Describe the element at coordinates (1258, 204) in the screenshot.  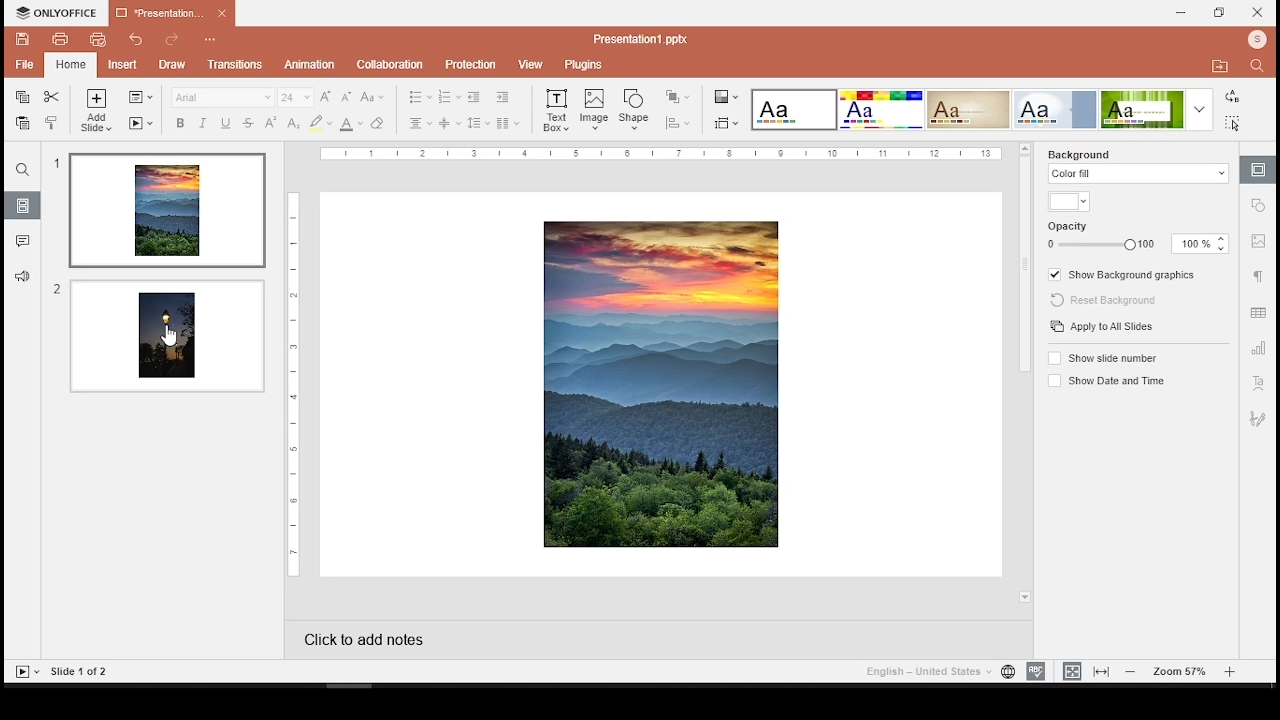
I see `shape settings` at that location.